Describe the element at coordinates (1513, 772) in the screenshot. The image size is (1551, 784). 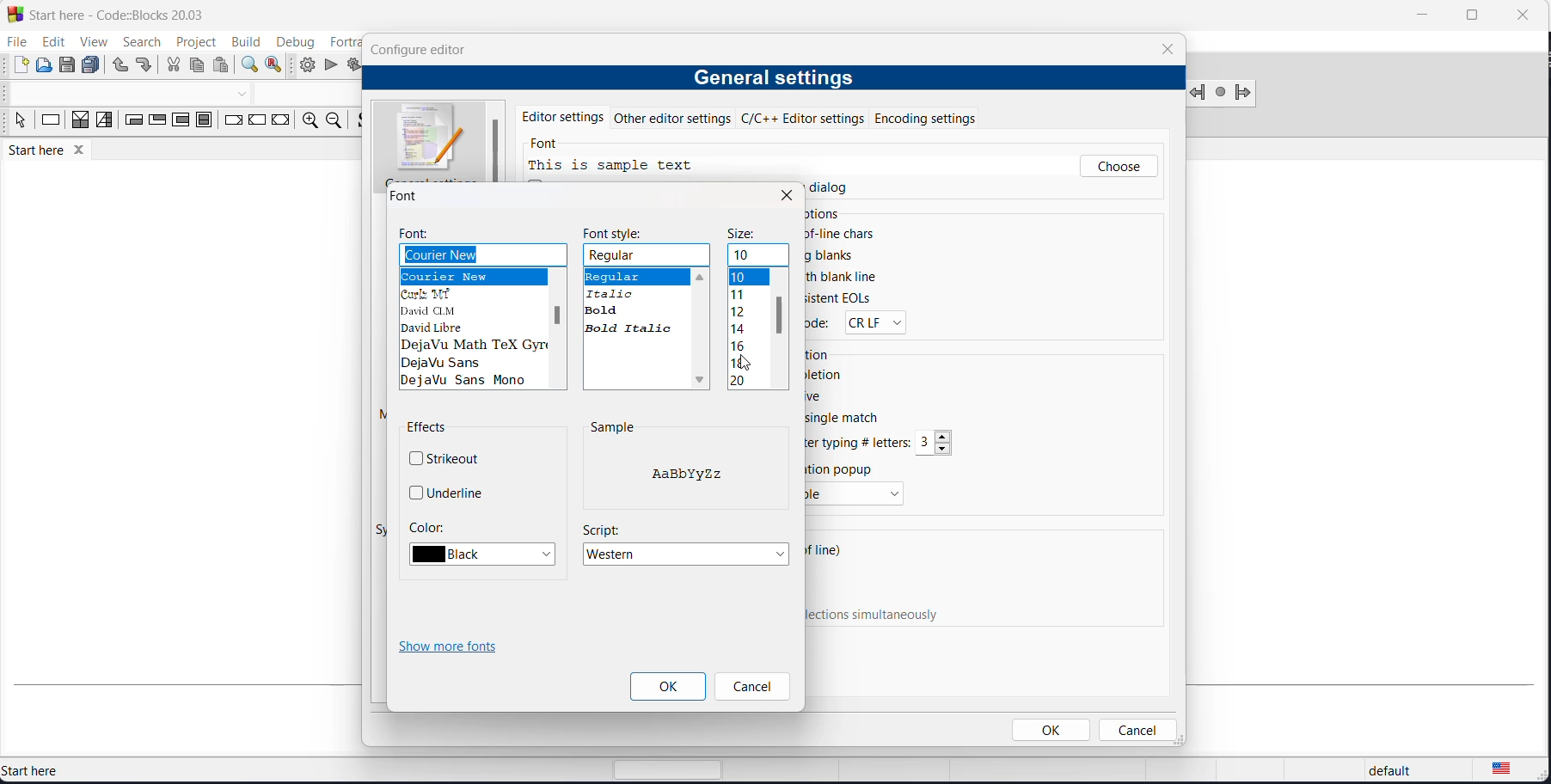
I see `text languge` at that location.